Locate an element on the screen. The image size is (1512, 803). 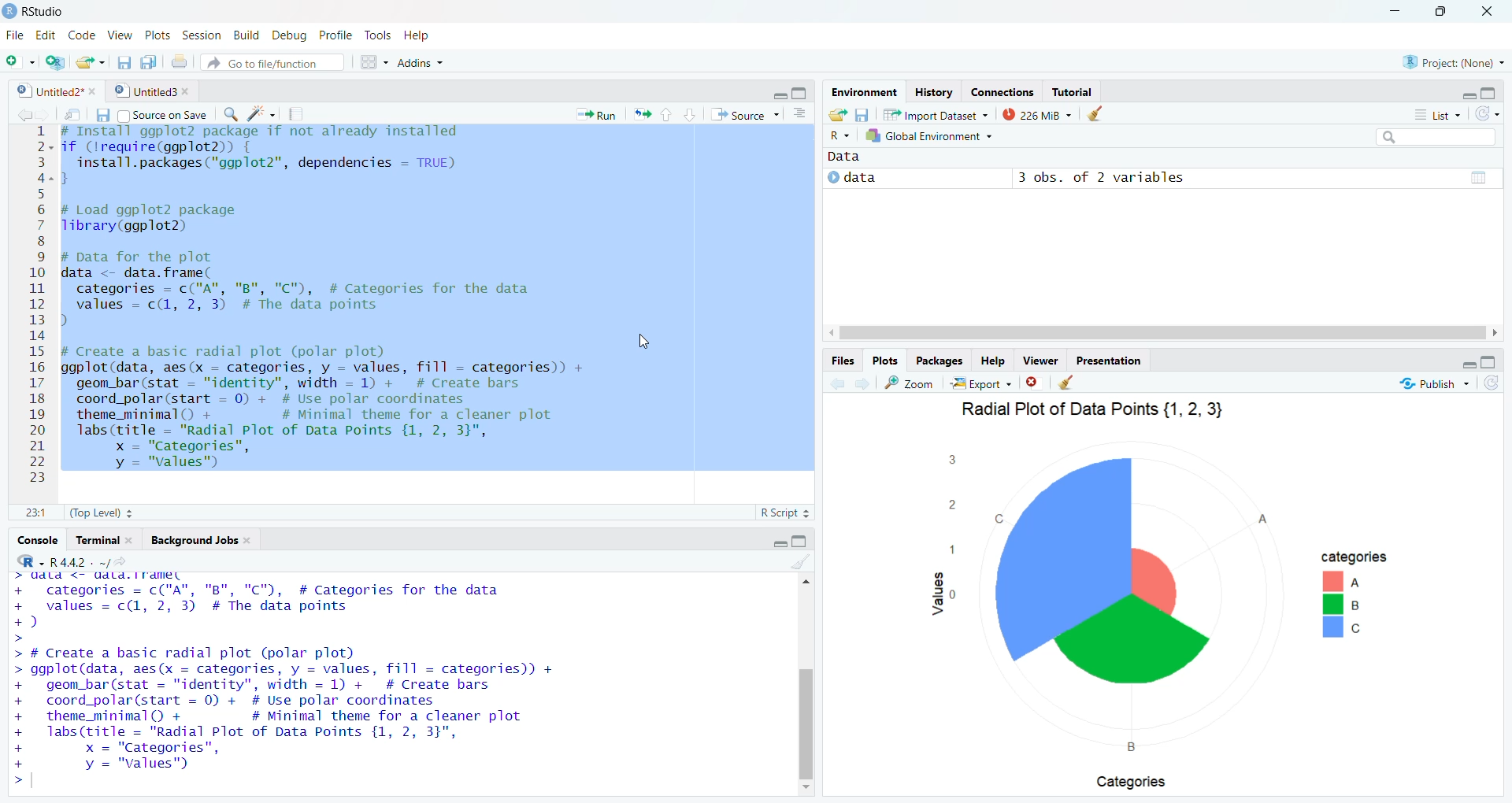
save all documents is located at coordinates (150, 61).